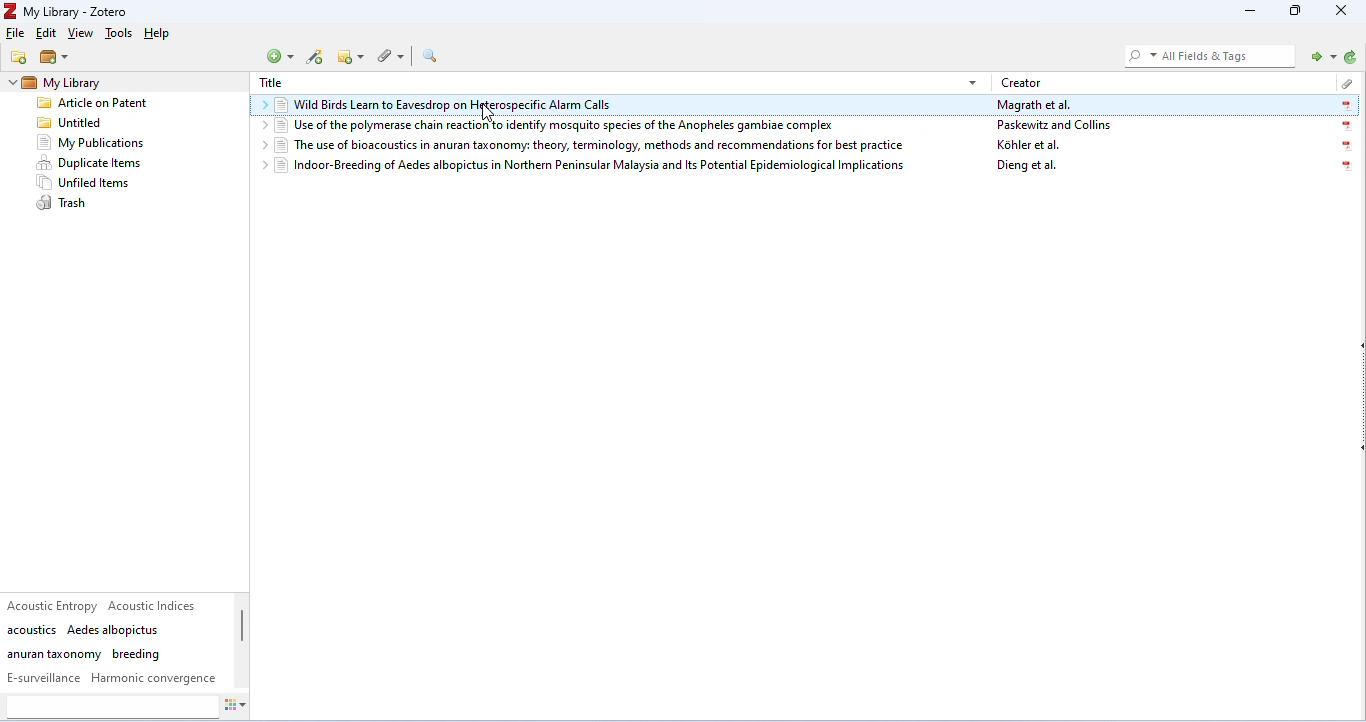  I want to click on magrath et al., so click(1036, 106).